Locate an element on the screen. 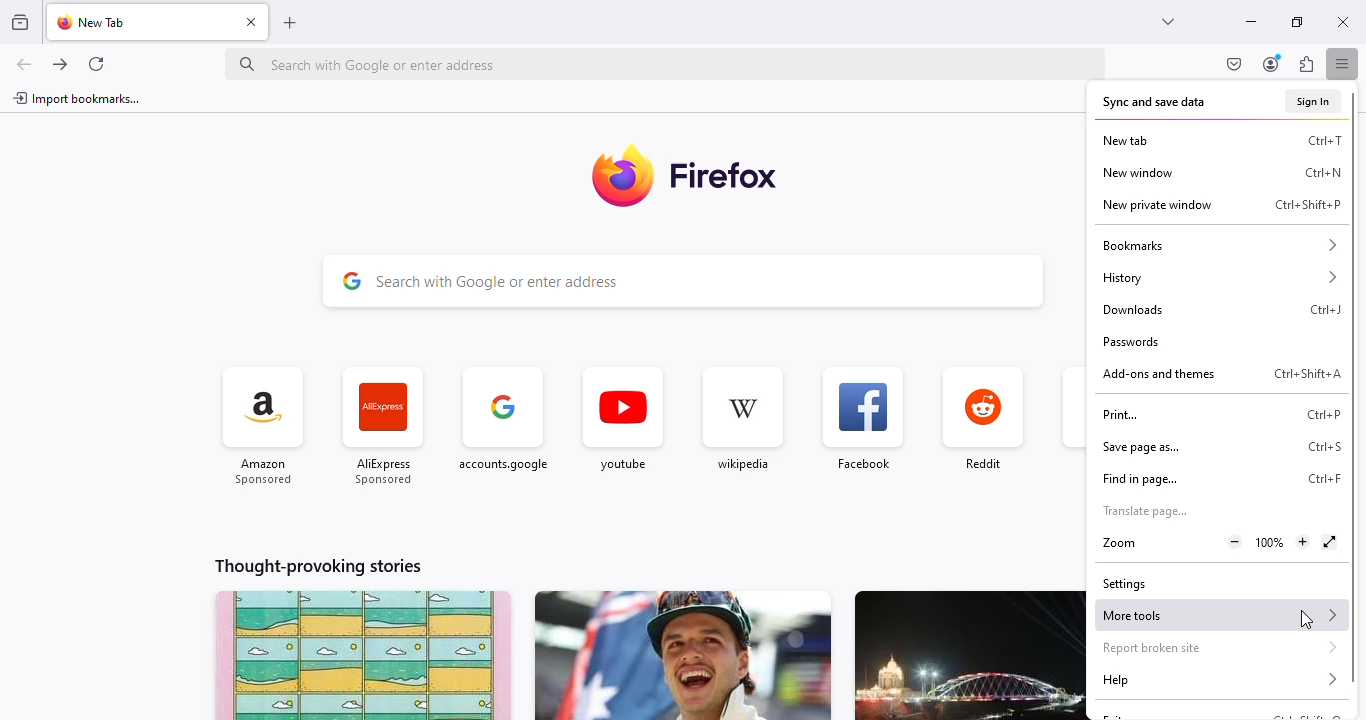 The height and width of the screenshot is (720, 1366). add-ons and themes is located at coordinates (1158, 374).